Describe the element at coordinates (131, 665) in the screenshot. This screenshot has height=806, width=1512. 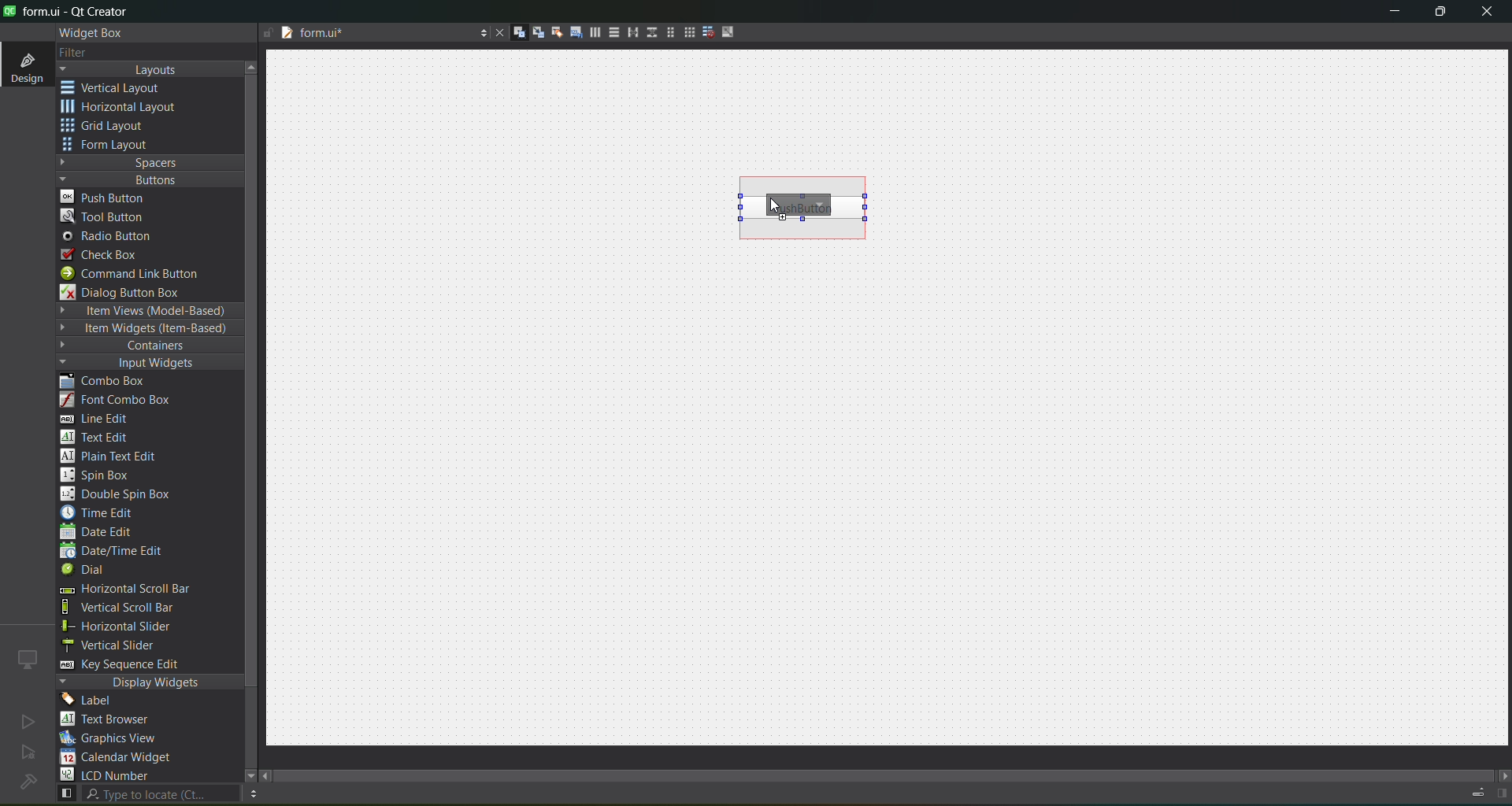
I see `key sequence edit` at that location.